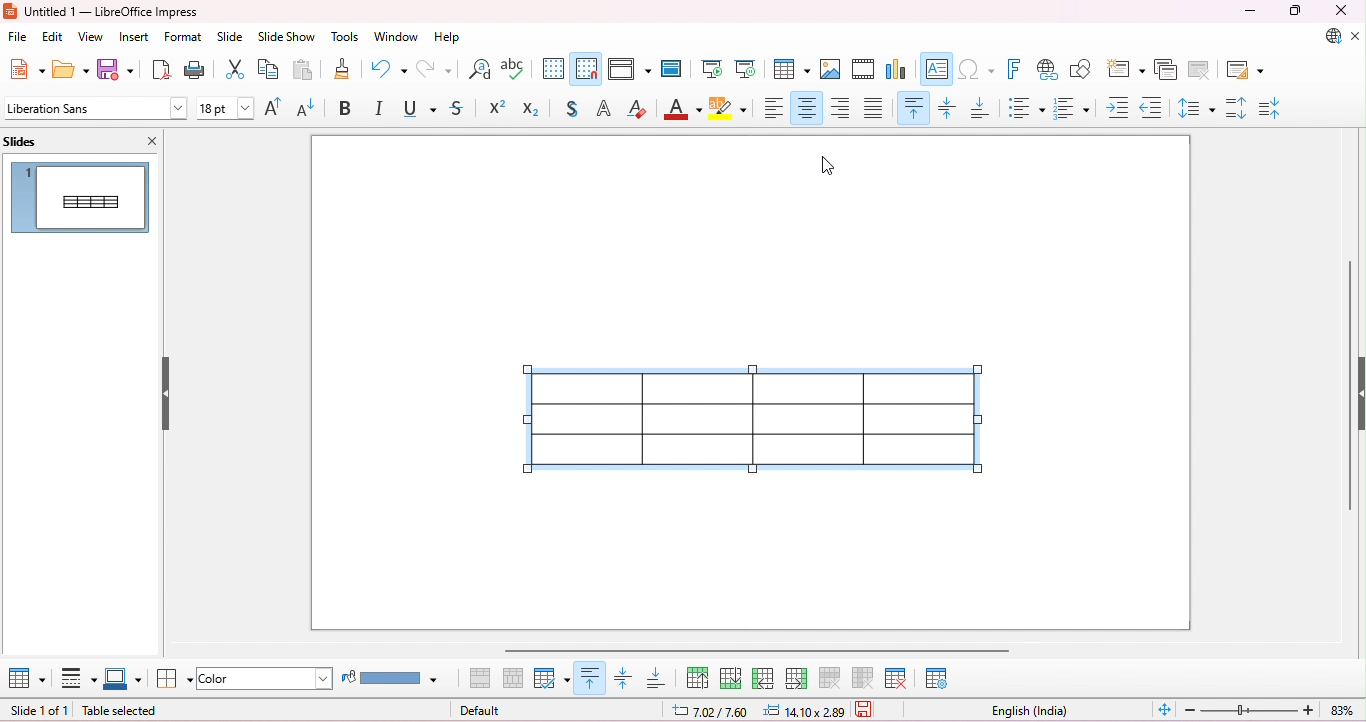  Describe the element at coordinates (875, 107) in the screenshot. I see `justified` at that location.